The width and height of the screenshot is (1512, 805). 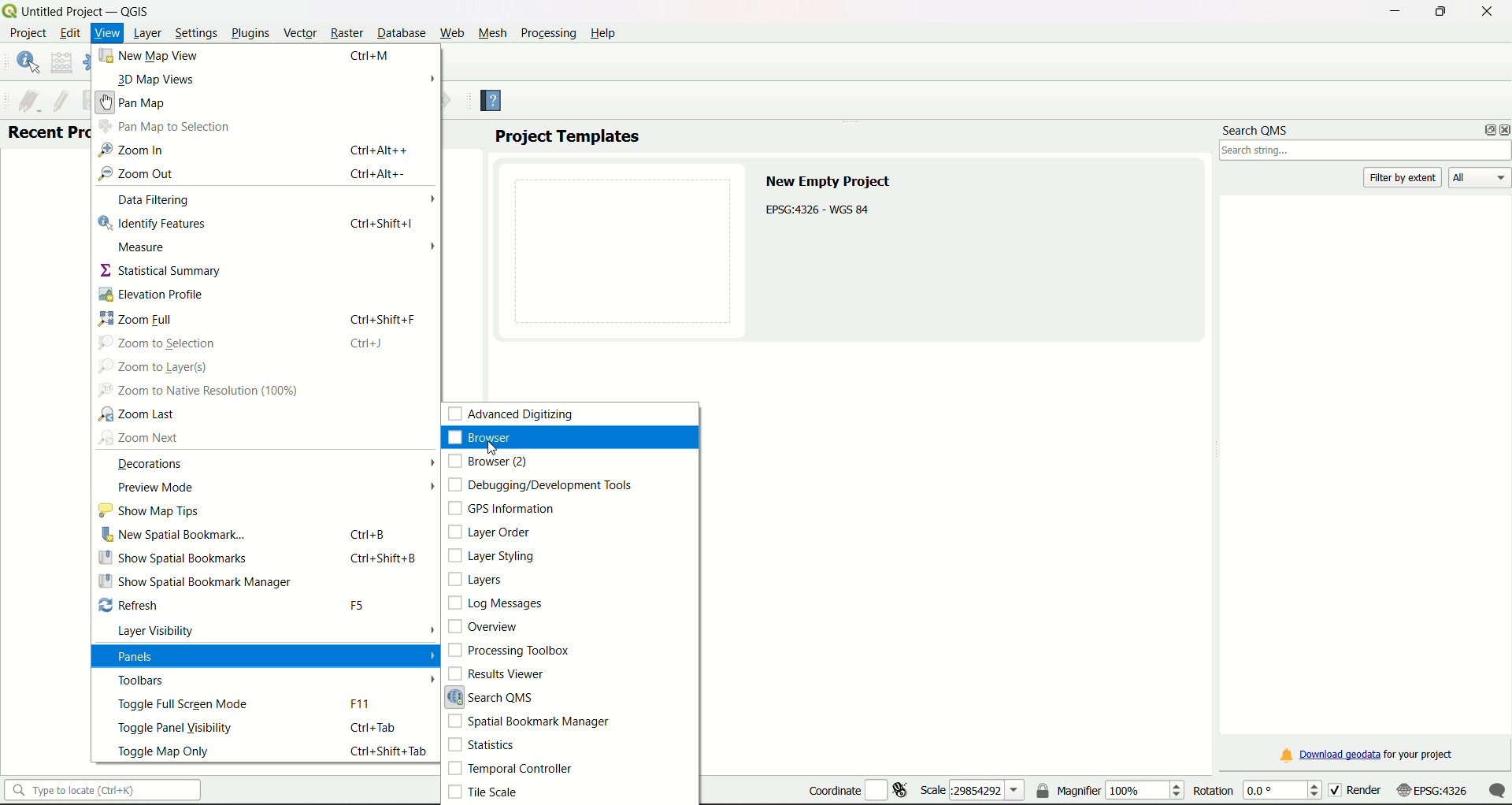 I want to click on debugging development tools, so click(x=540, y=485).